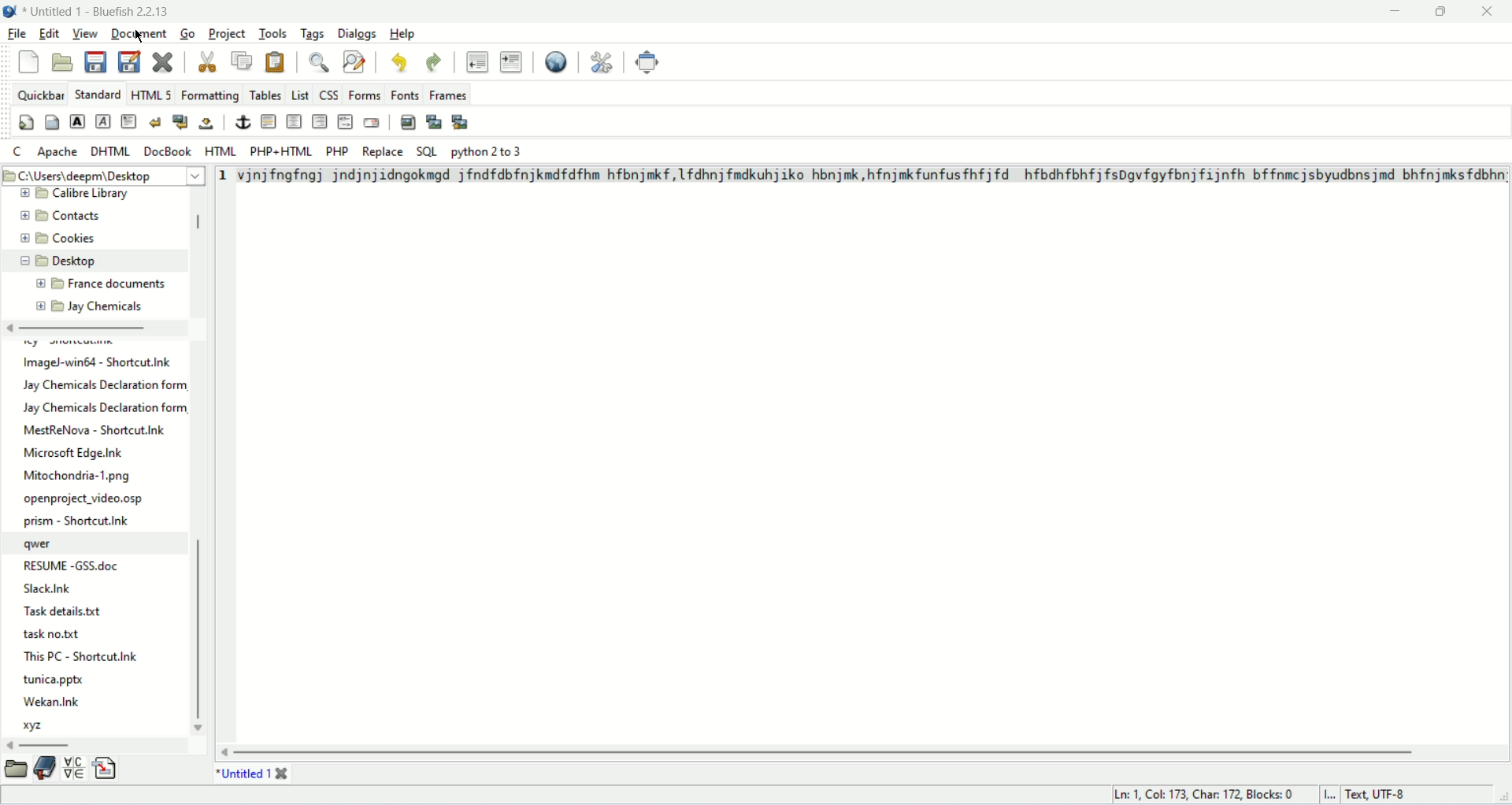 The height and width of the screenshot is (805, 1512). Describe the element at coordinates (187, 33) in the screenshot. I see `go` at that location.